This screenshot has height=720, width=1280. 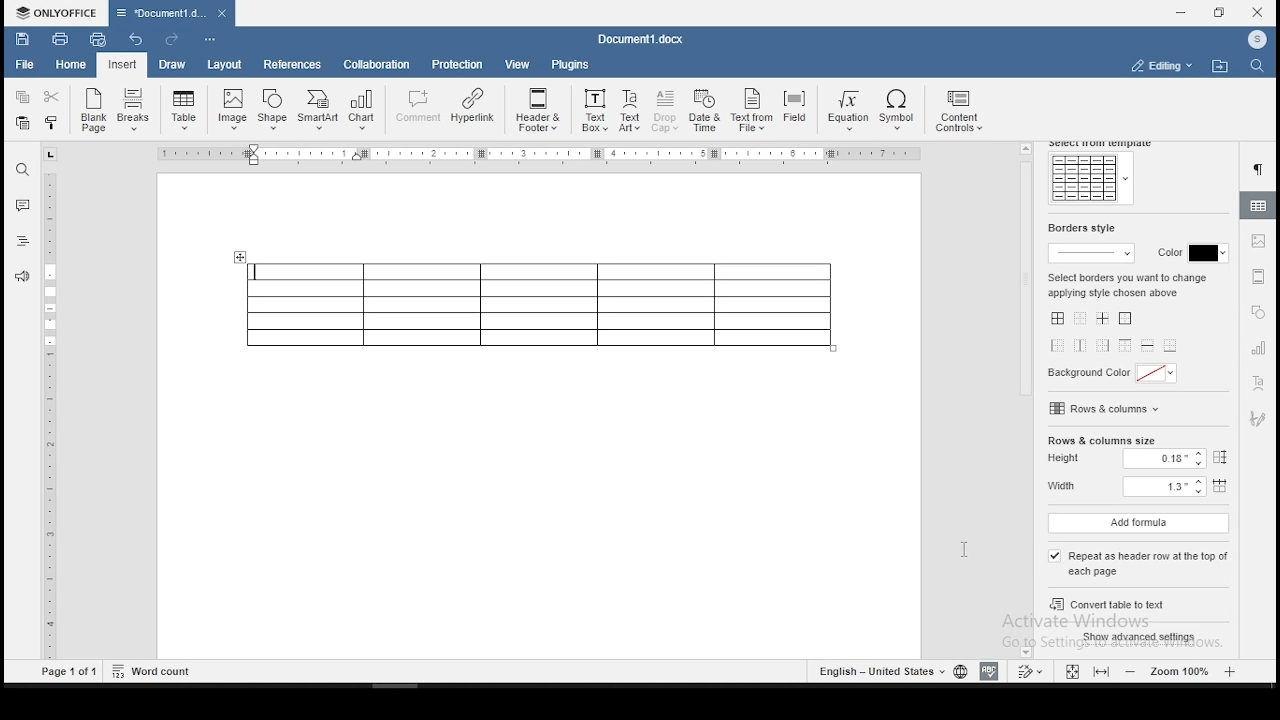 What do you see at coordinates (135, 112) in the screenshot?
I see `Breaks` at bounding box center [135, 112].